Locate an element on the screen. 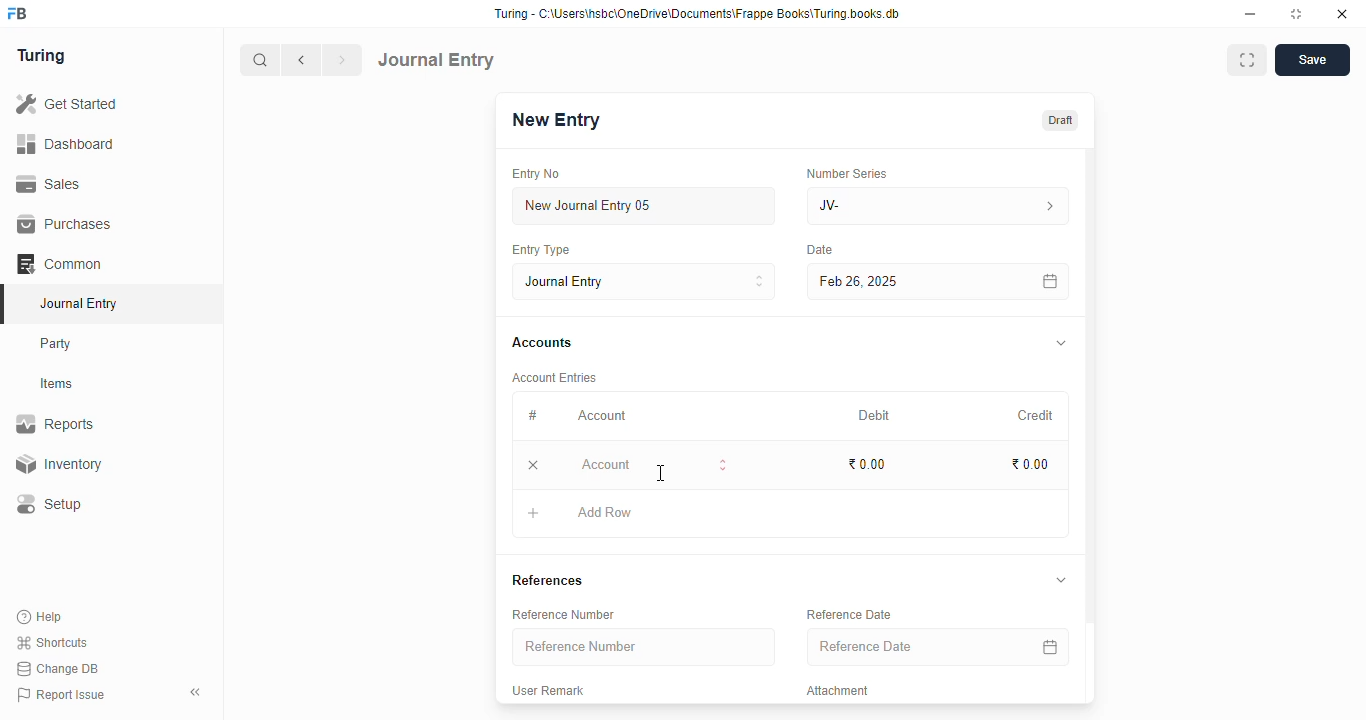 Image resolution: width=1366 pixels, height=720 pixels. items is located at coordinates (59, 384).